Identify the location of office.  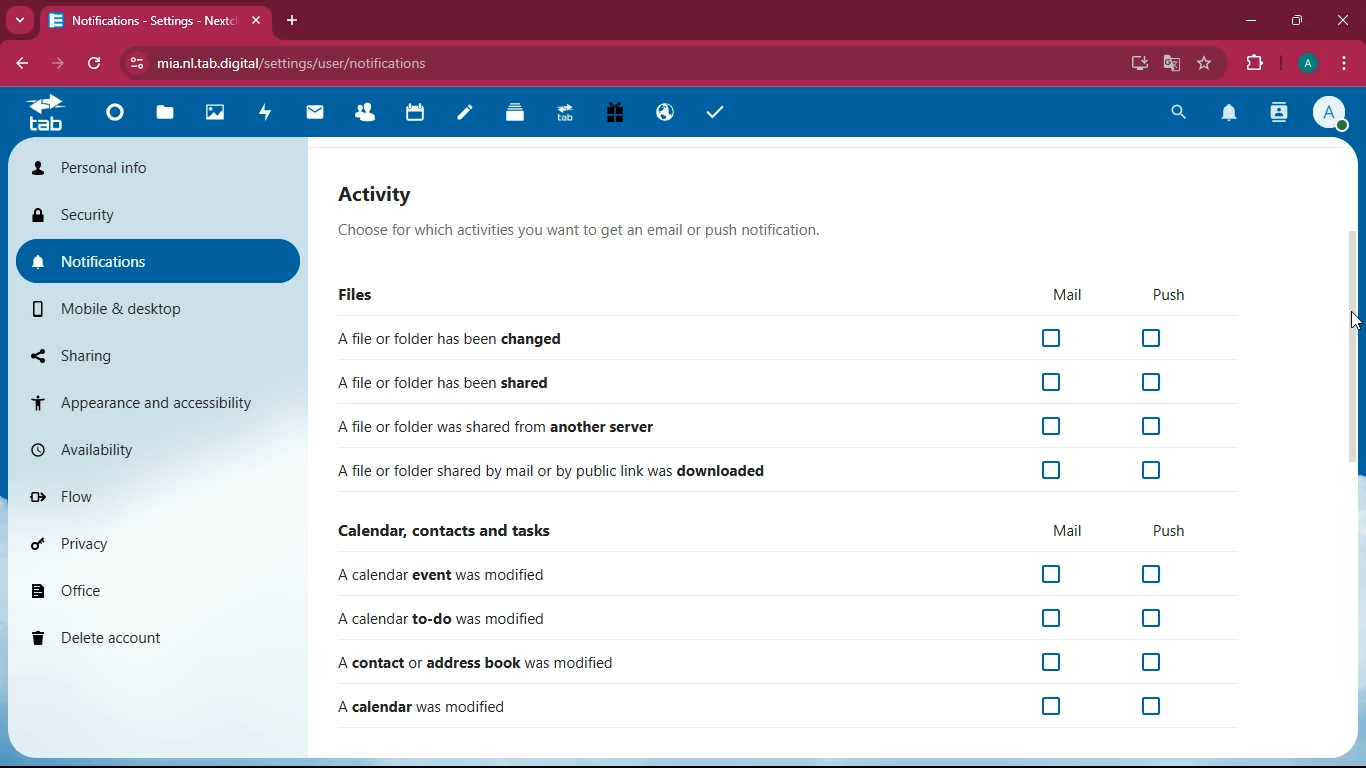
(157, 588).